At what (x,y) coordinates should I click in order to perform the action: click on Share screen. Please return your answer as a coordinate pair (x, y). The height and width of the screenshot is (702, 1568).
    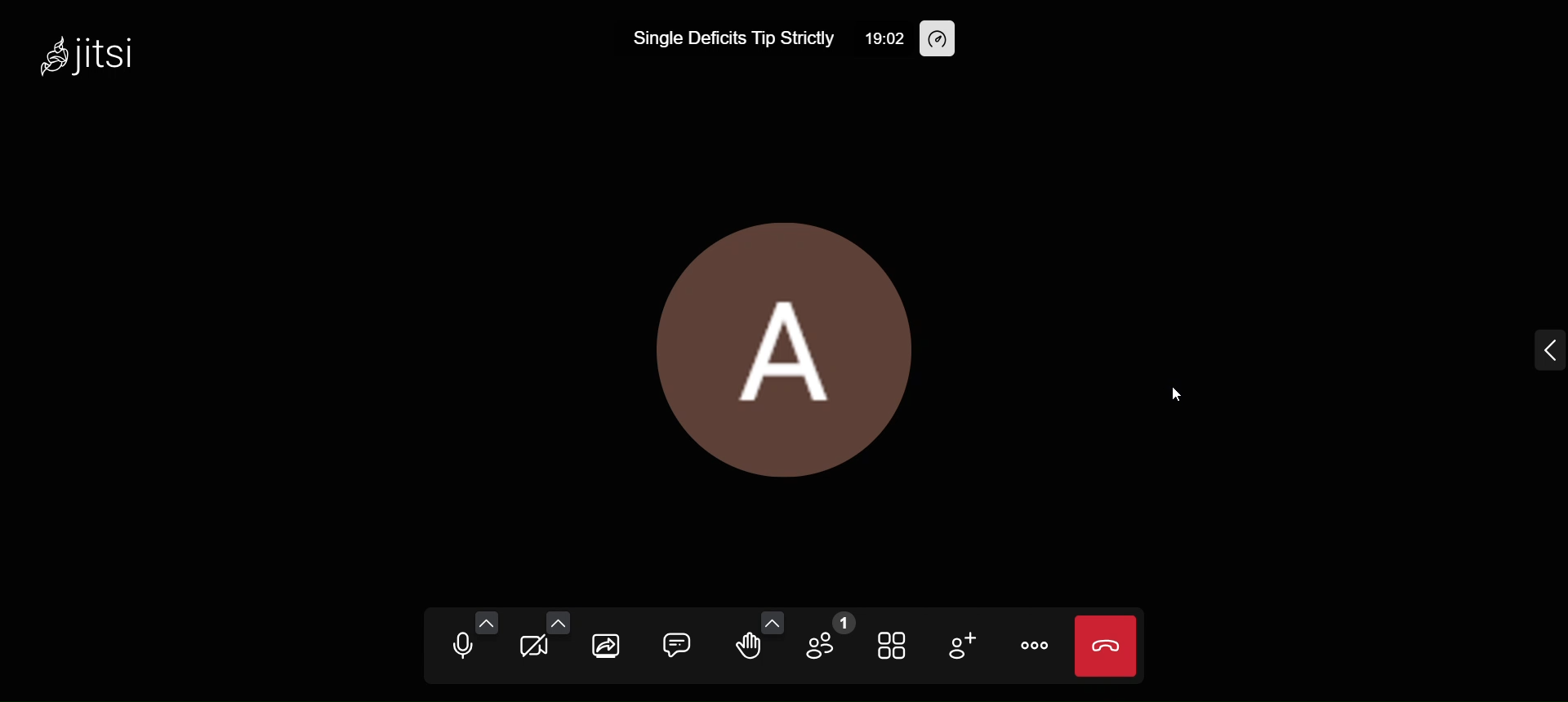
    Looking at the image, I should click on (609, 644).